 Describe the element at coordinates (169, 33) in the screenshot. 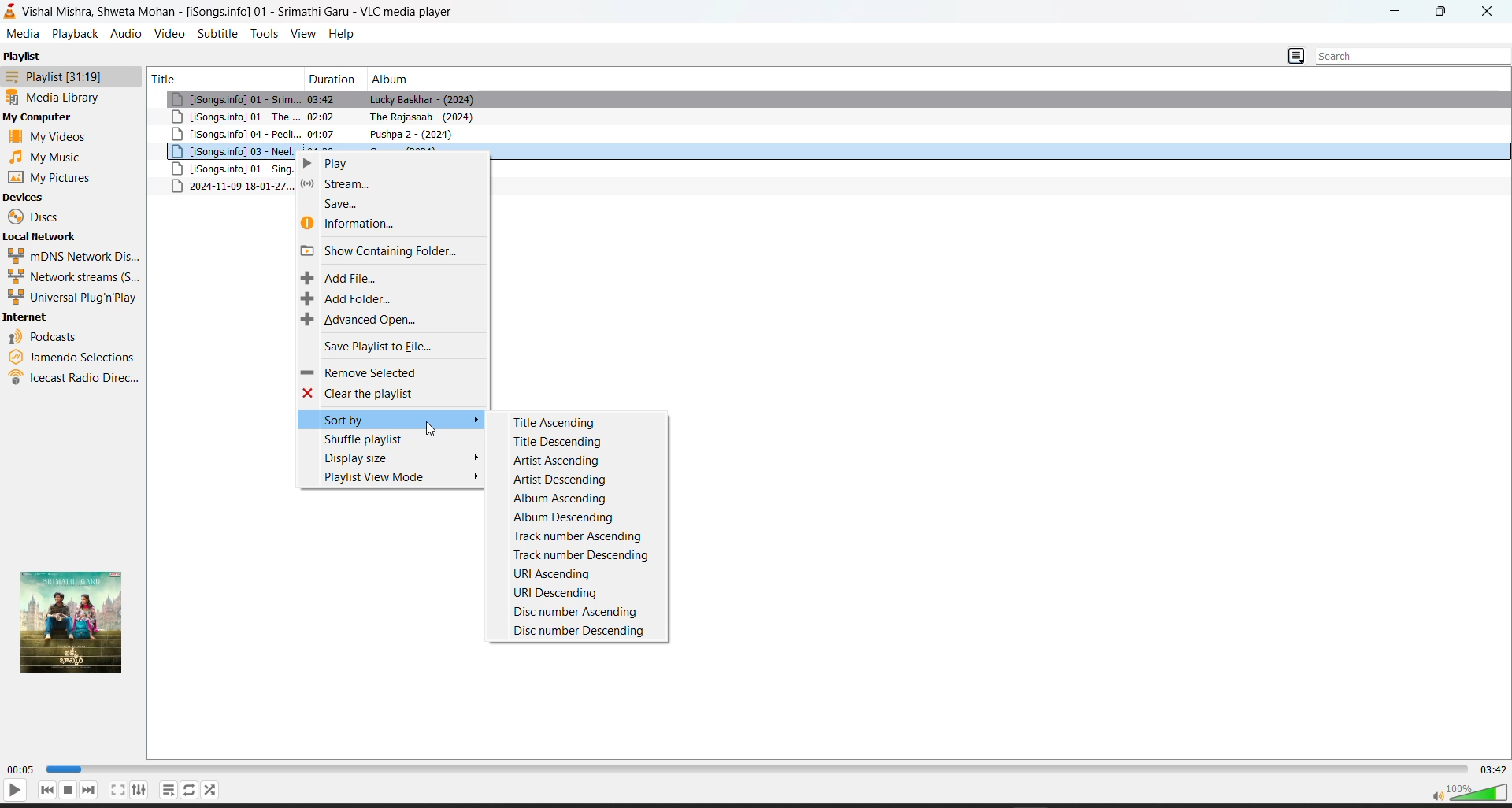

I see `video` at that location.